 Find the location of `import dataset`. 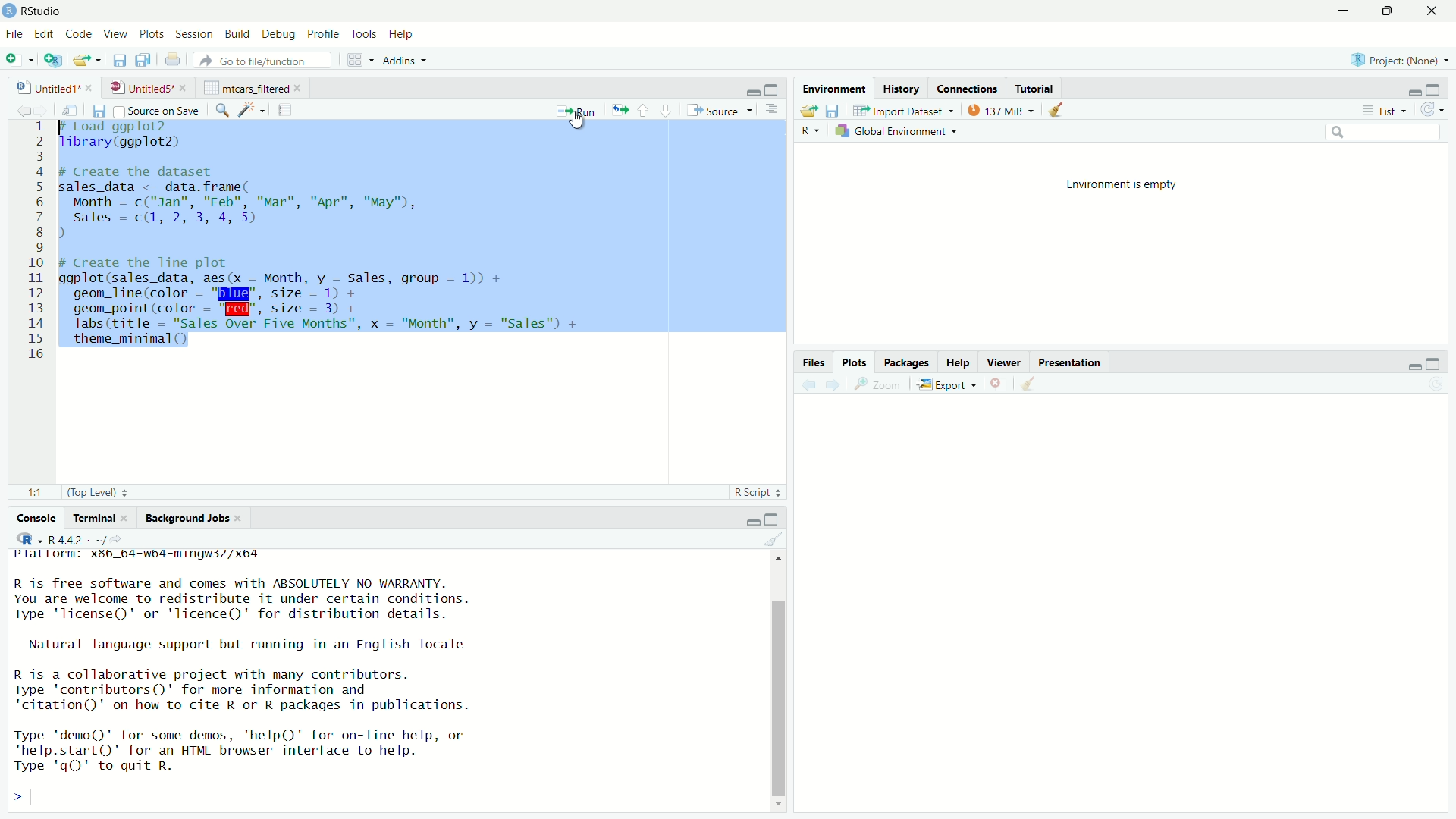

import dataset is located at coordinates (903, 111).